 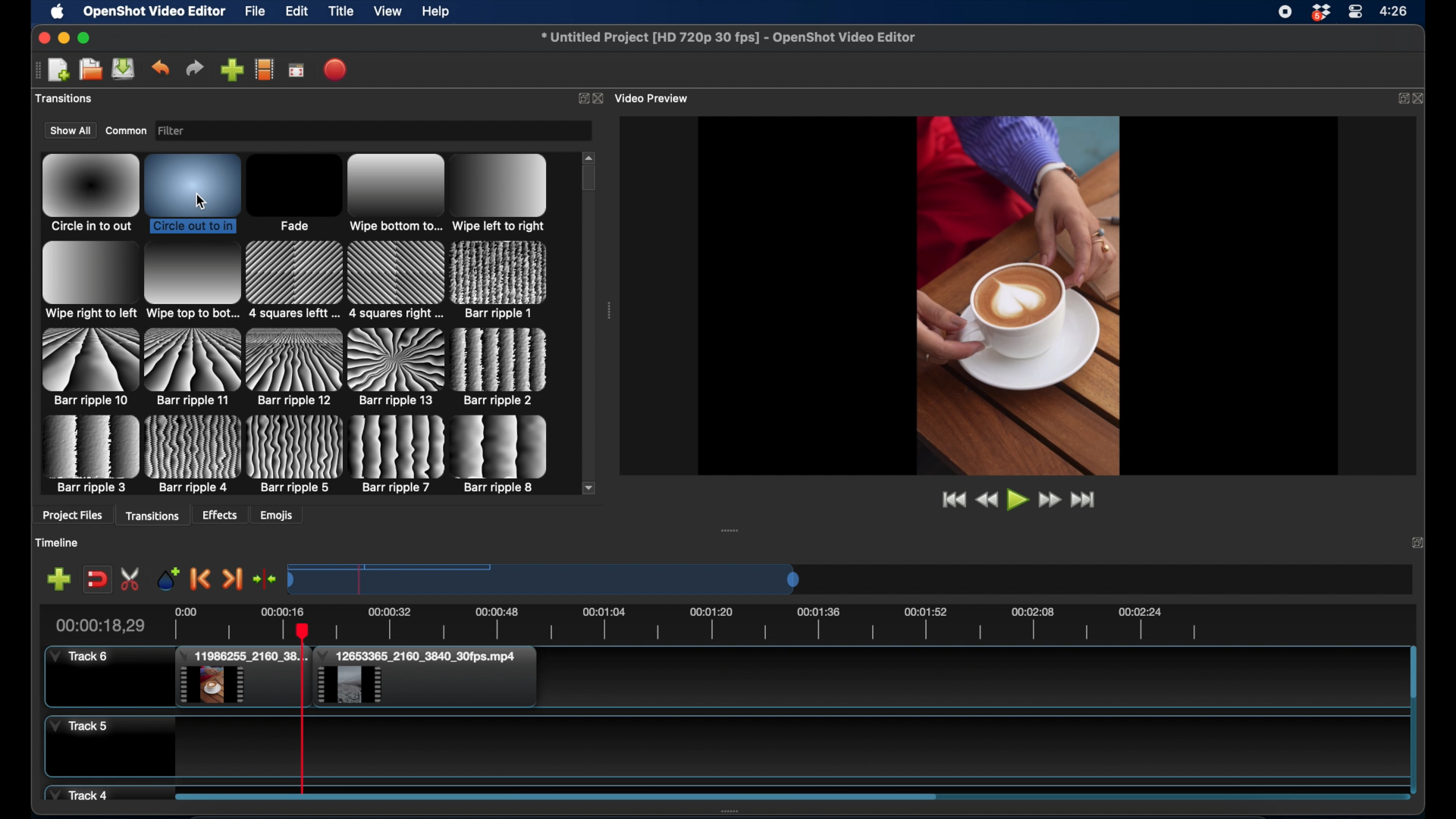 What do you see at coordinates (232, 579) in the screenshot?
I see `next marker` at bounding box center [232, 579].